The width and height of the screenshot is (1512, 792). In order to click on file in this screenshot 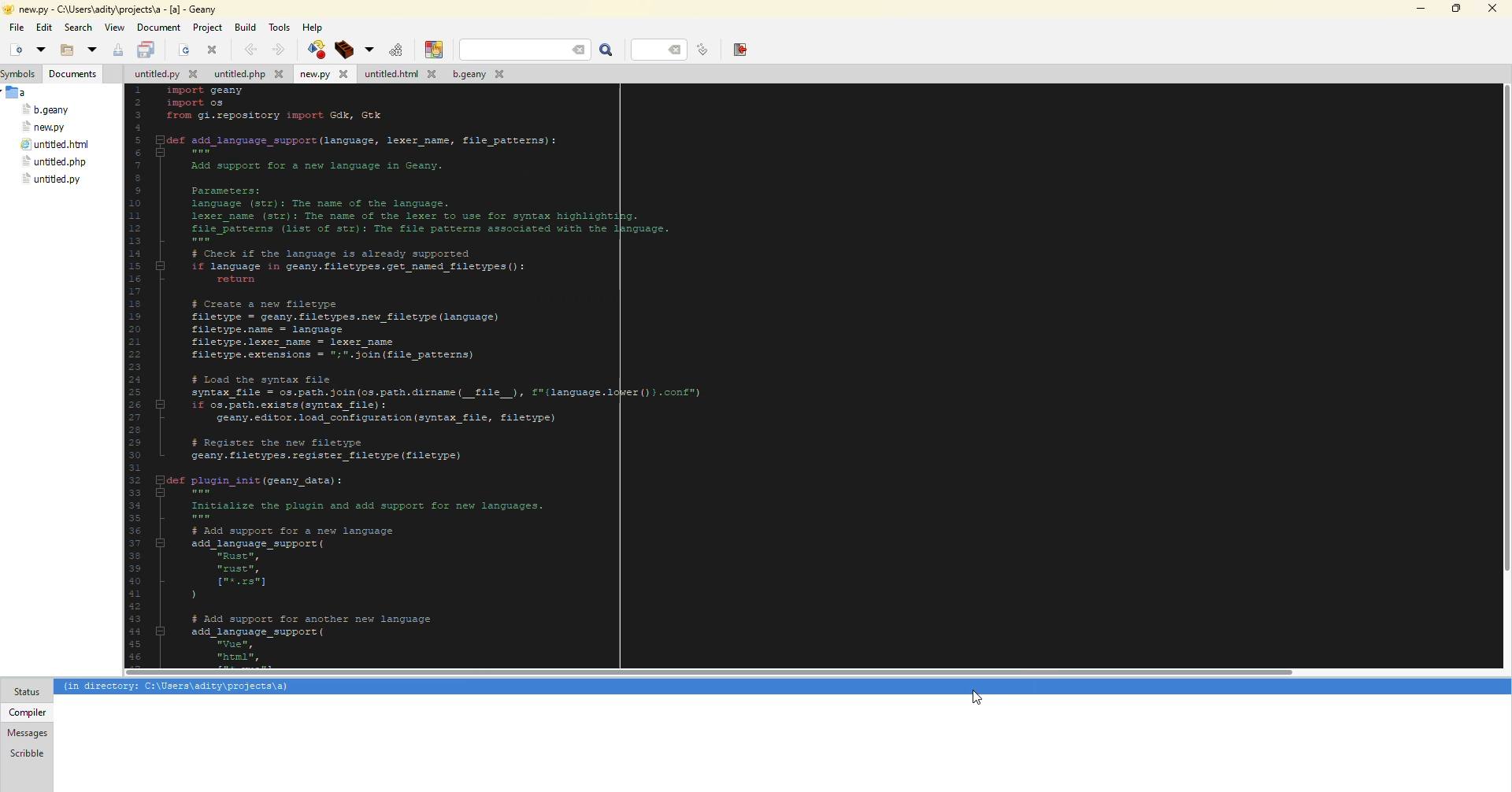, I will do `click(55, 146)`.